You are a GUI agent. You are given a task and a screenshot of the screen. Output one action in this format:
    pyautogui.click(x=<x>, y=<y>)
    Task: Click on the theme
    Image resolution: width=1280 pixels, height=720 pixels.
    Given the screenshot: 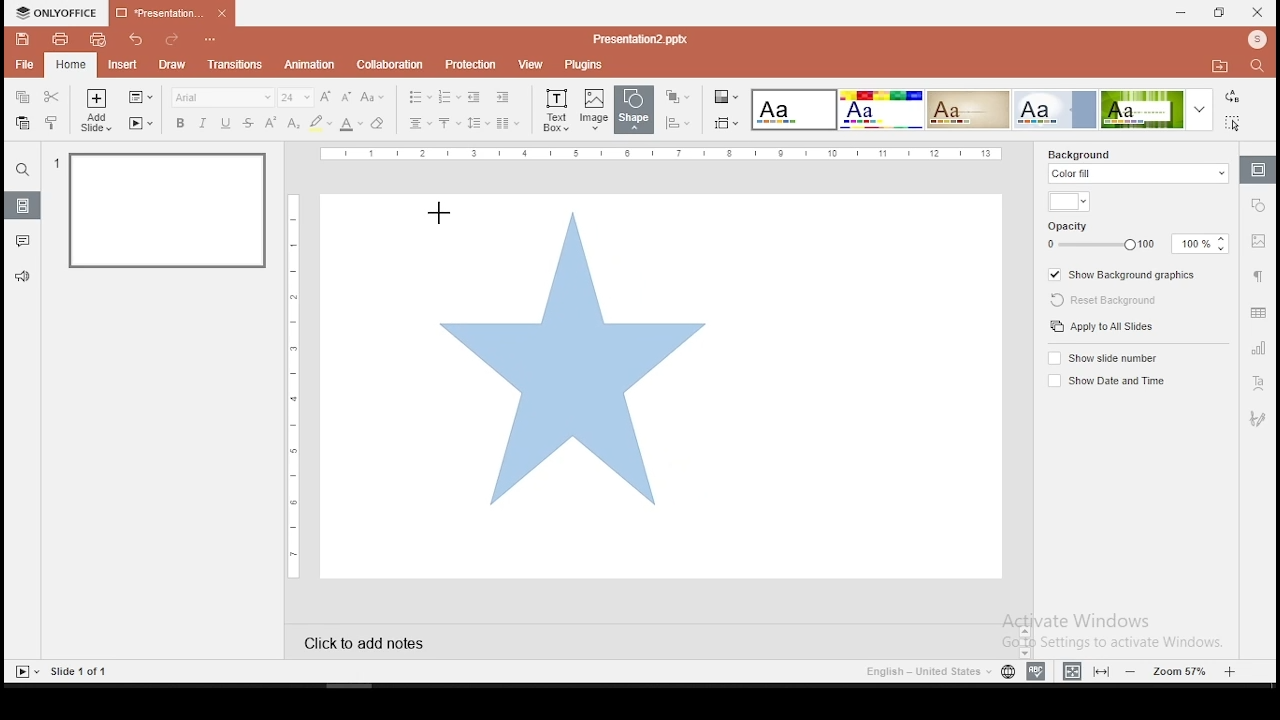 What is the action you would take?
    pyautogui.click(x=968, y=110)
    